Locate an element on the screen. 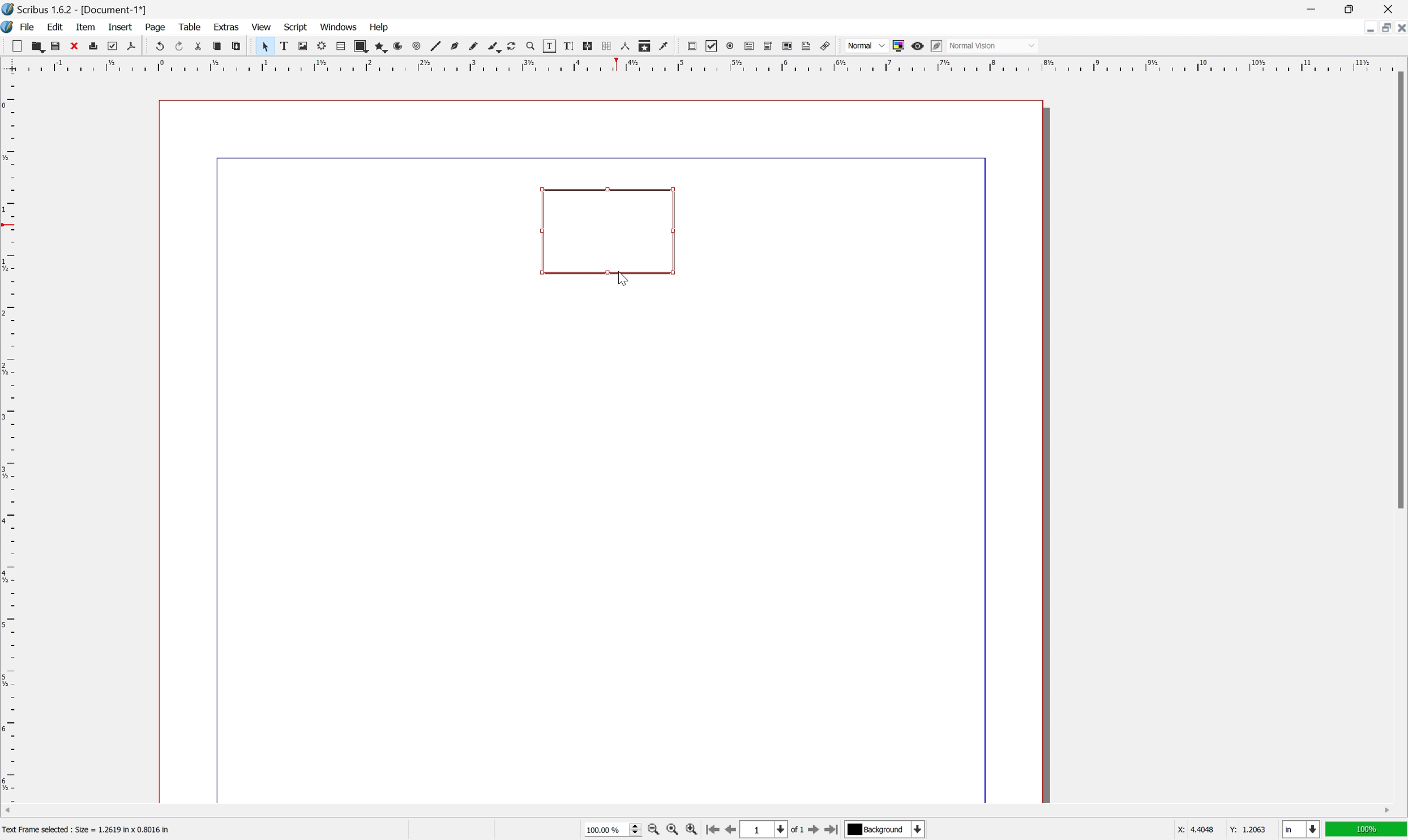  cut is located at coordinates (198, 45).